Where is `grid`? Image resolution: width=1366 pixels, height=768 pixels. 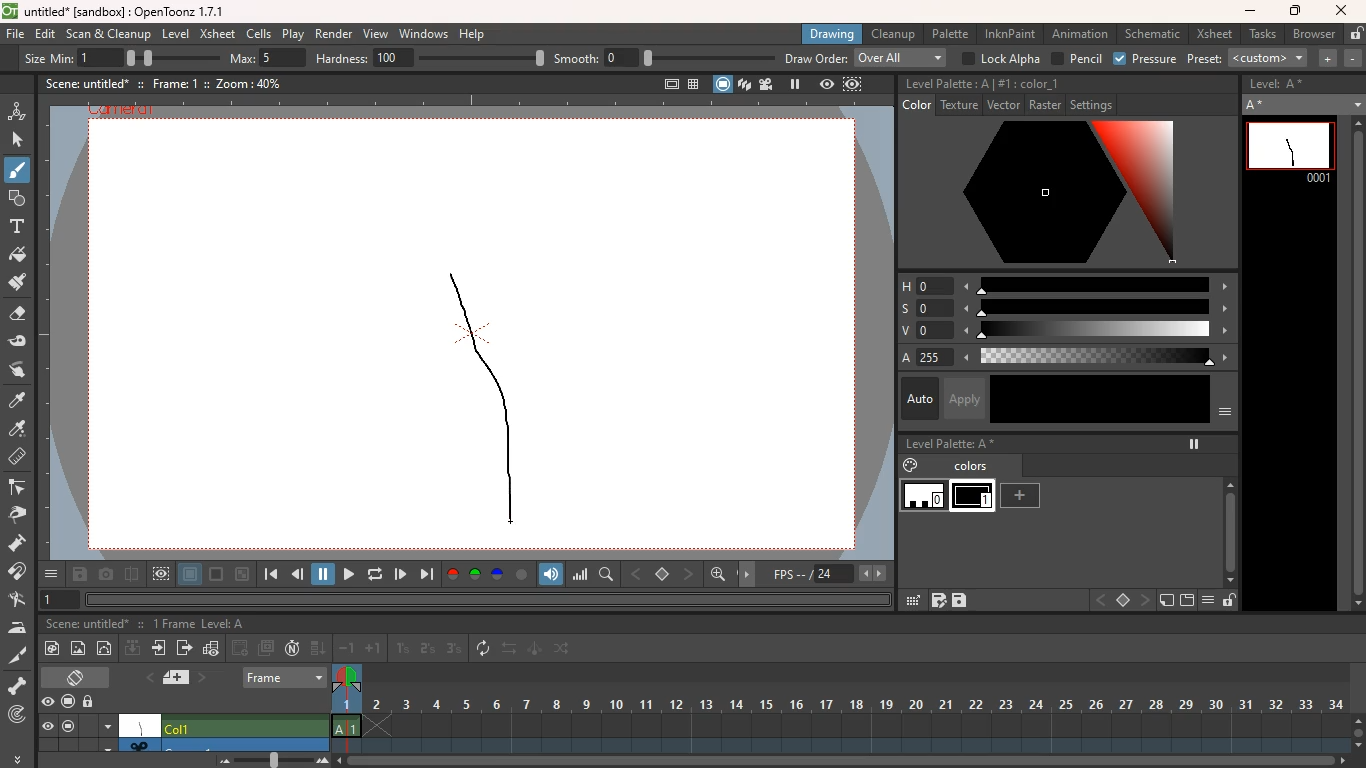
grid is located at coordinates (938, 602).